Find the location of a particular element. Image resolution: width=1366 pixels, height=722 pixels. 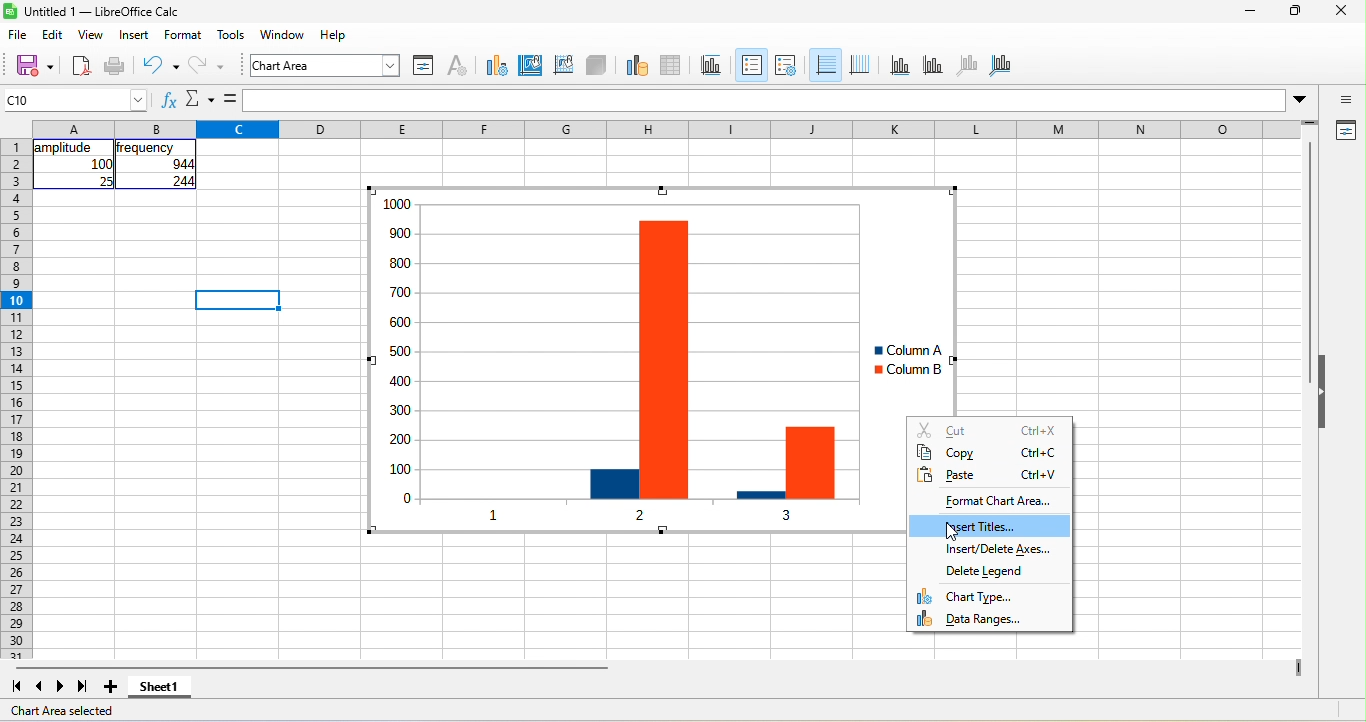

insert/delete axes is located at coordinates (989, 549).